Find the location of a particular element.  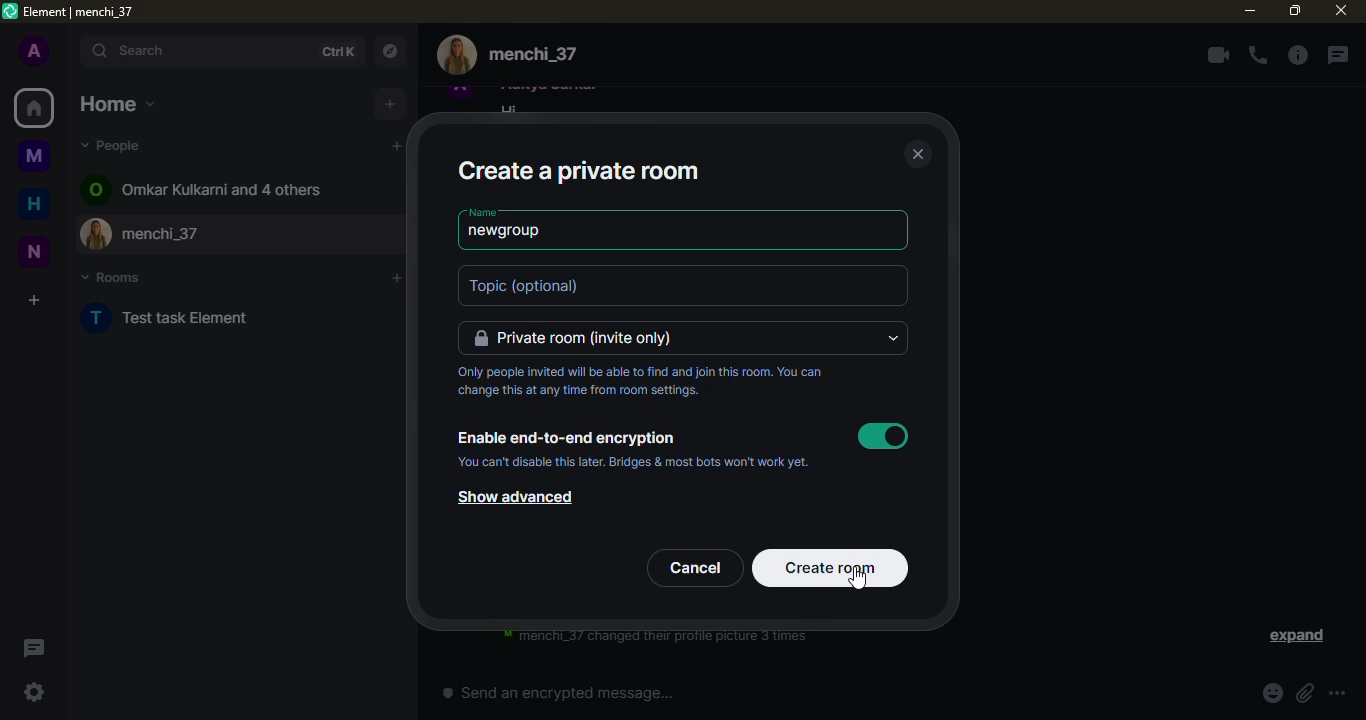

menchi_37 is located at coordinates (533, 55).